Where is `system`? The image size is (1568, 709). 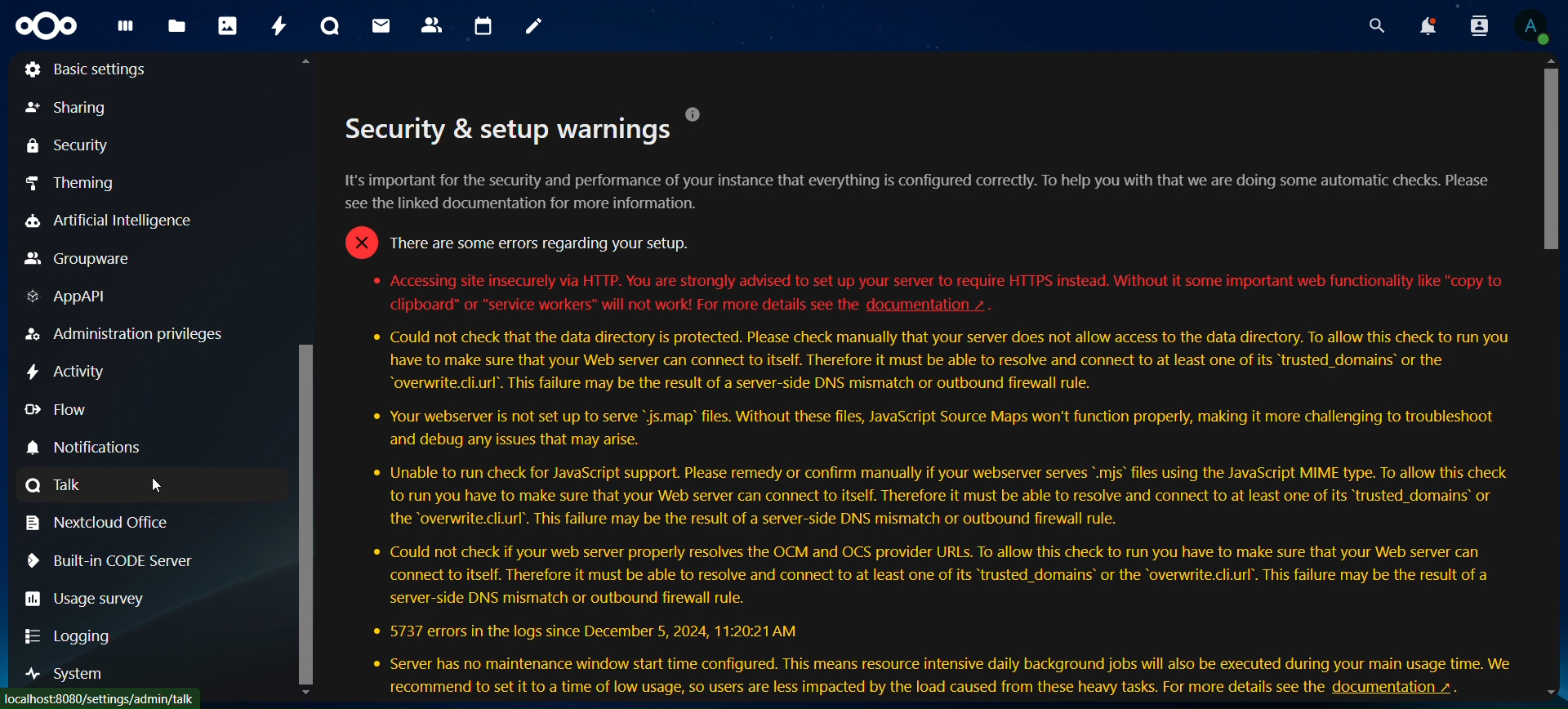 system is located at coordinates (68, 676).